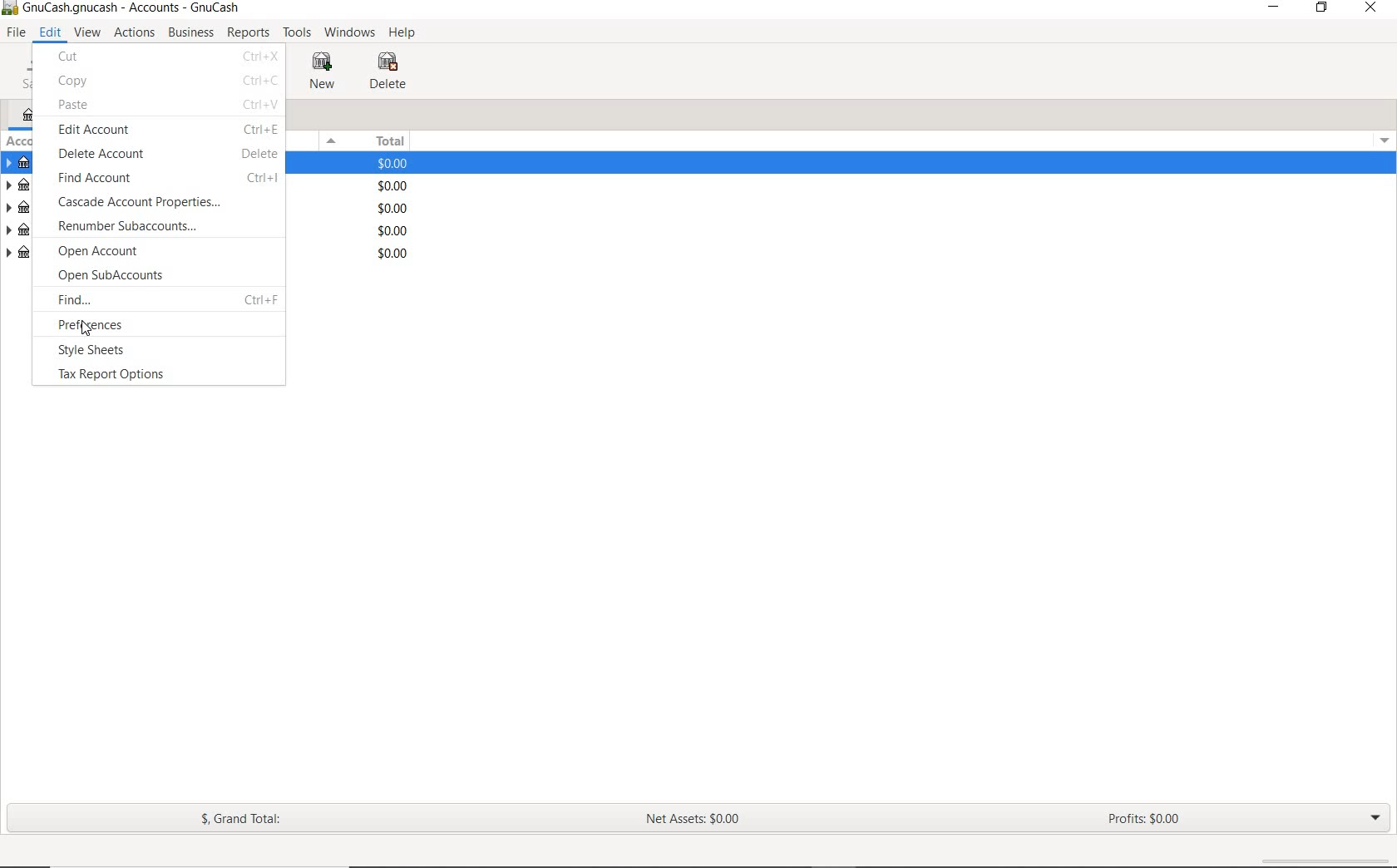 The height and width of the screenshot is (868, 1397). Describe the element at coordinates (325, 71) in the screenshot. I see `NEW` at that location.